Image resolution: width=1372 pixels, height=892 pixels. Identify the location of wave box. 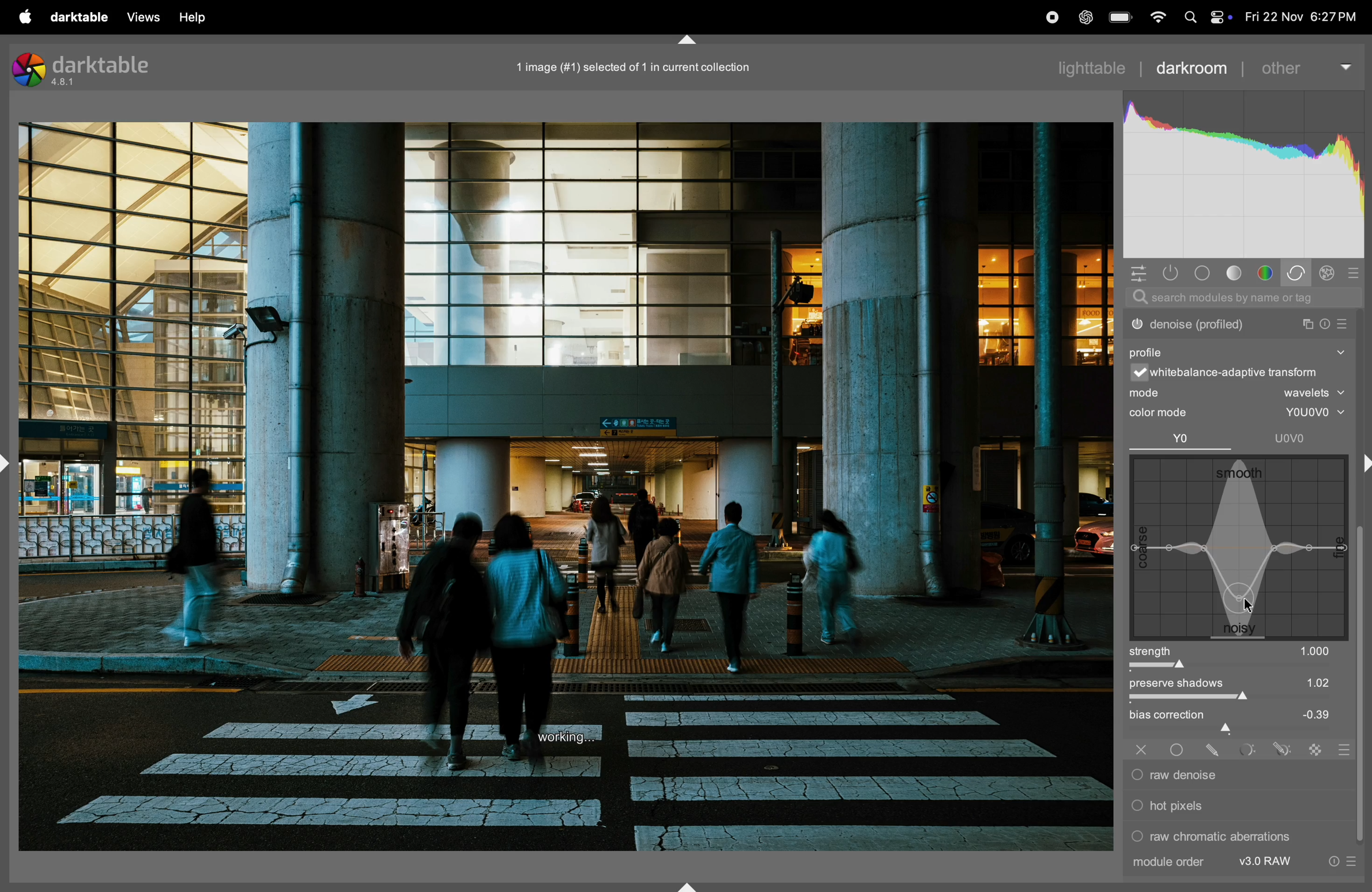
(1237, 547).